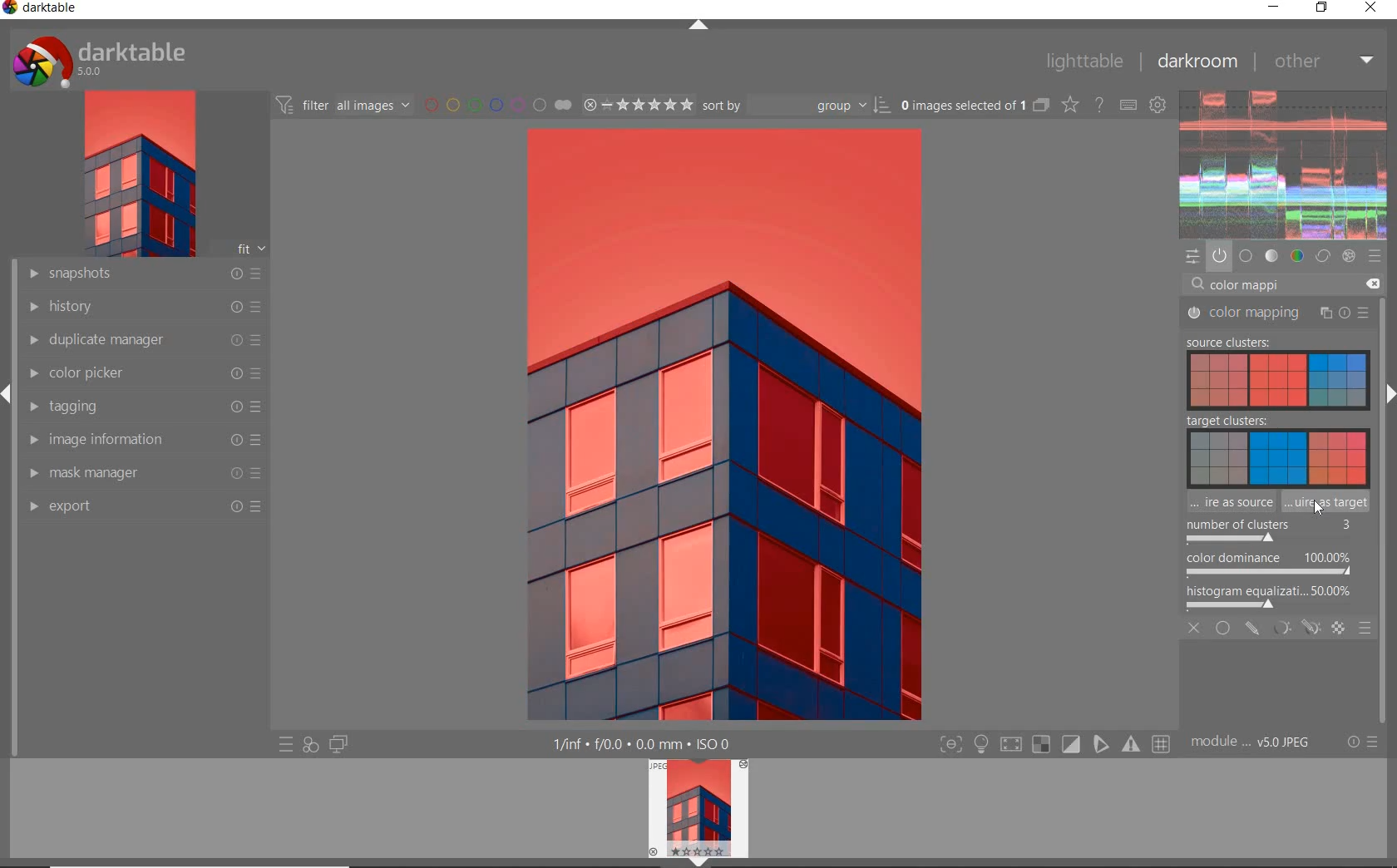 This screenshot has height=868, width=1397. What do you see at coordinates (1375, 257) in the screenshot?
I see `preset` at bounding box center [1375, 257].